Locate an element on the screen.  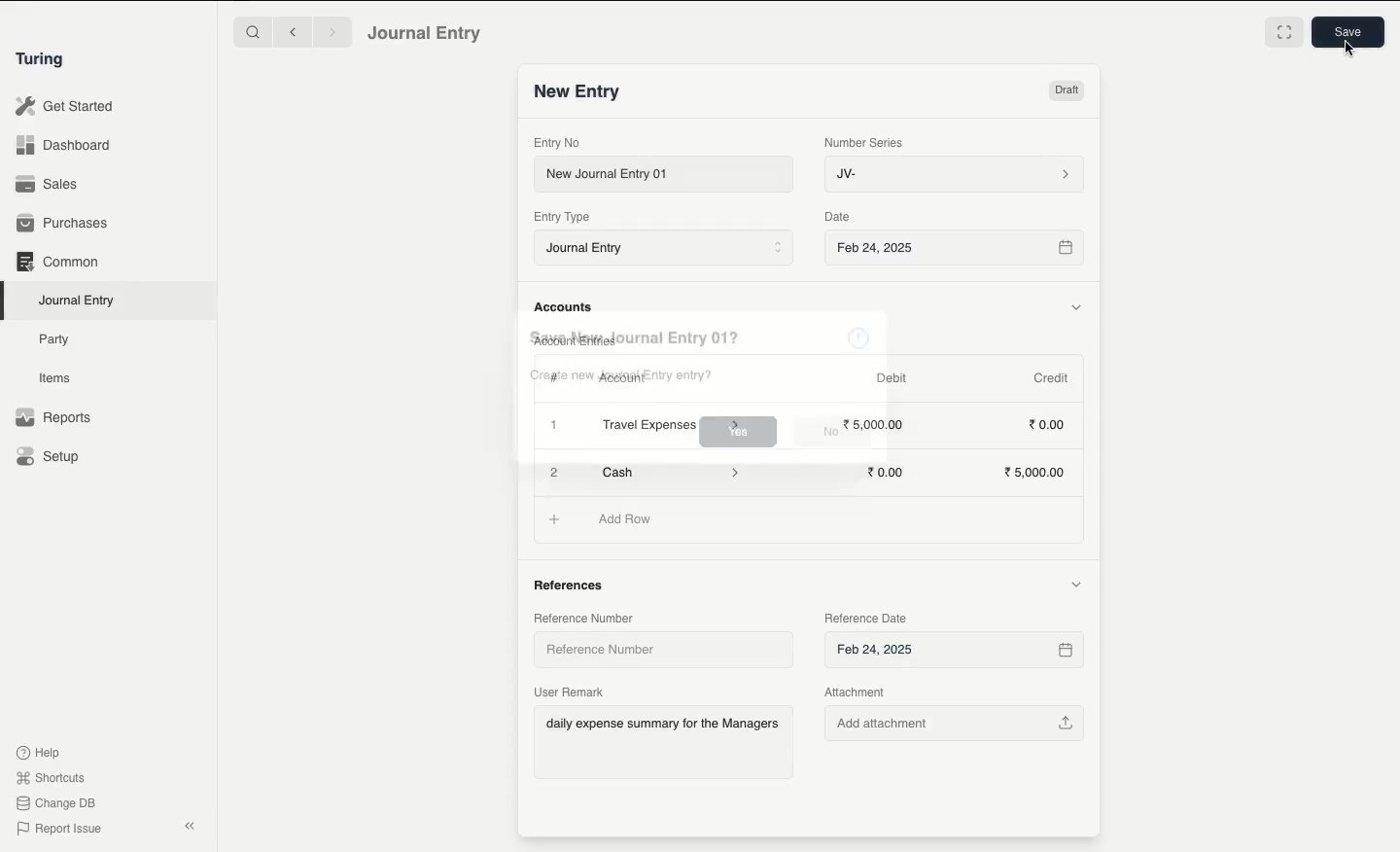
Toggle between form and full width is located at coordinates (1284, 32).